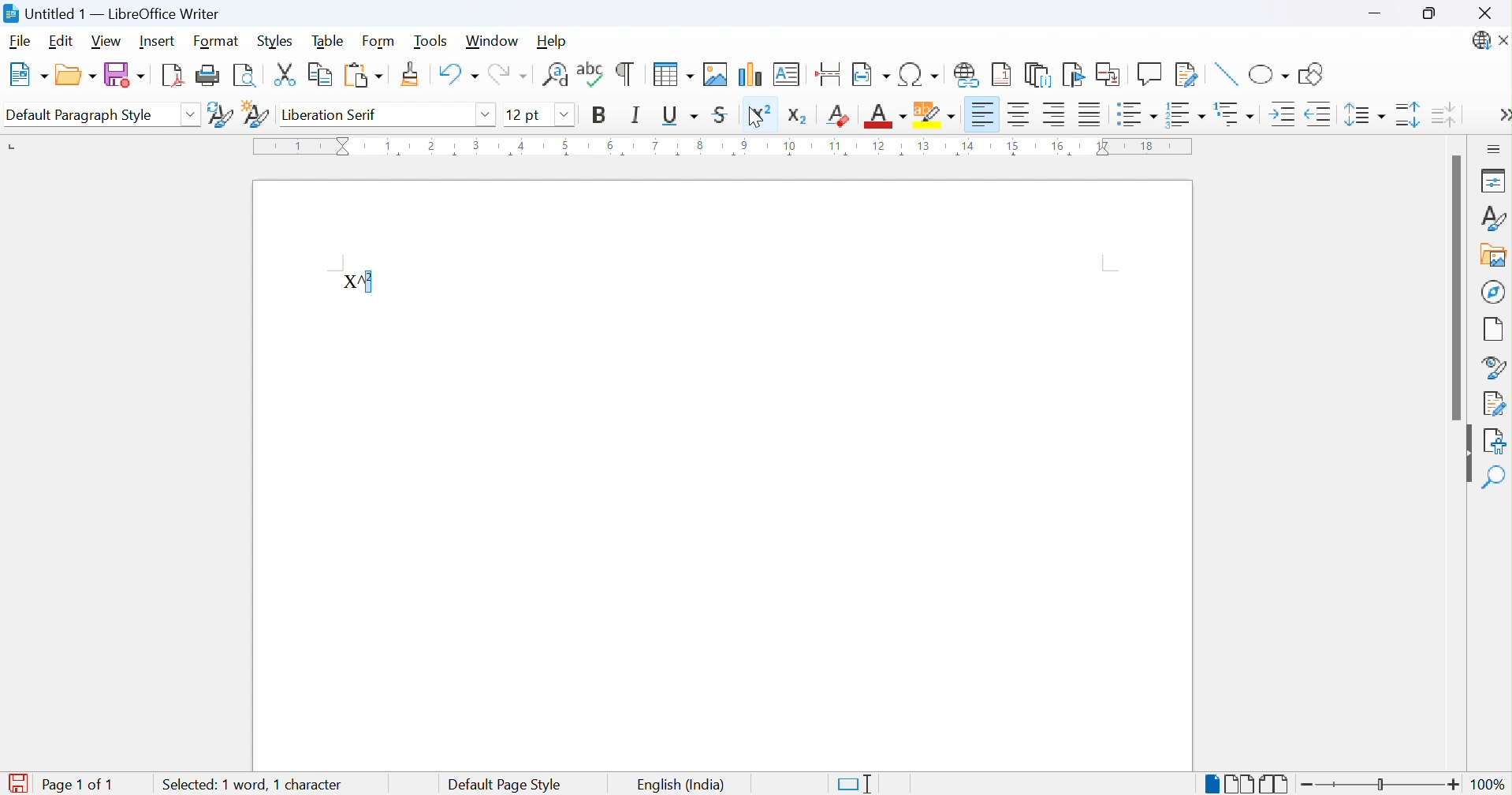 This screenshot has width=1512, height=795. I want to click on Page, so click(1493, 330).